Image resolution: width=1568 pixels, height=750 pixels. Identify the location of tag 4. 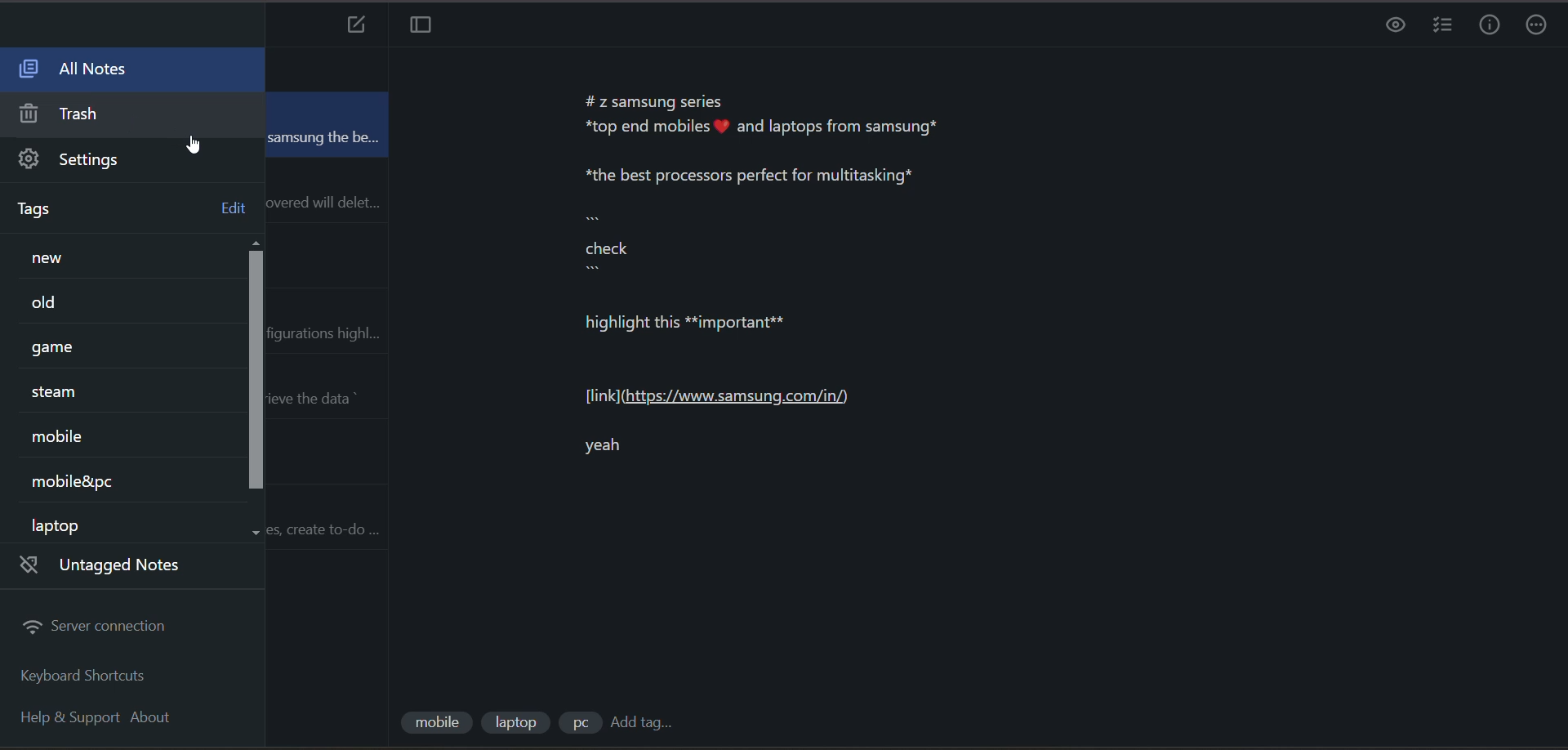
(65, 398).